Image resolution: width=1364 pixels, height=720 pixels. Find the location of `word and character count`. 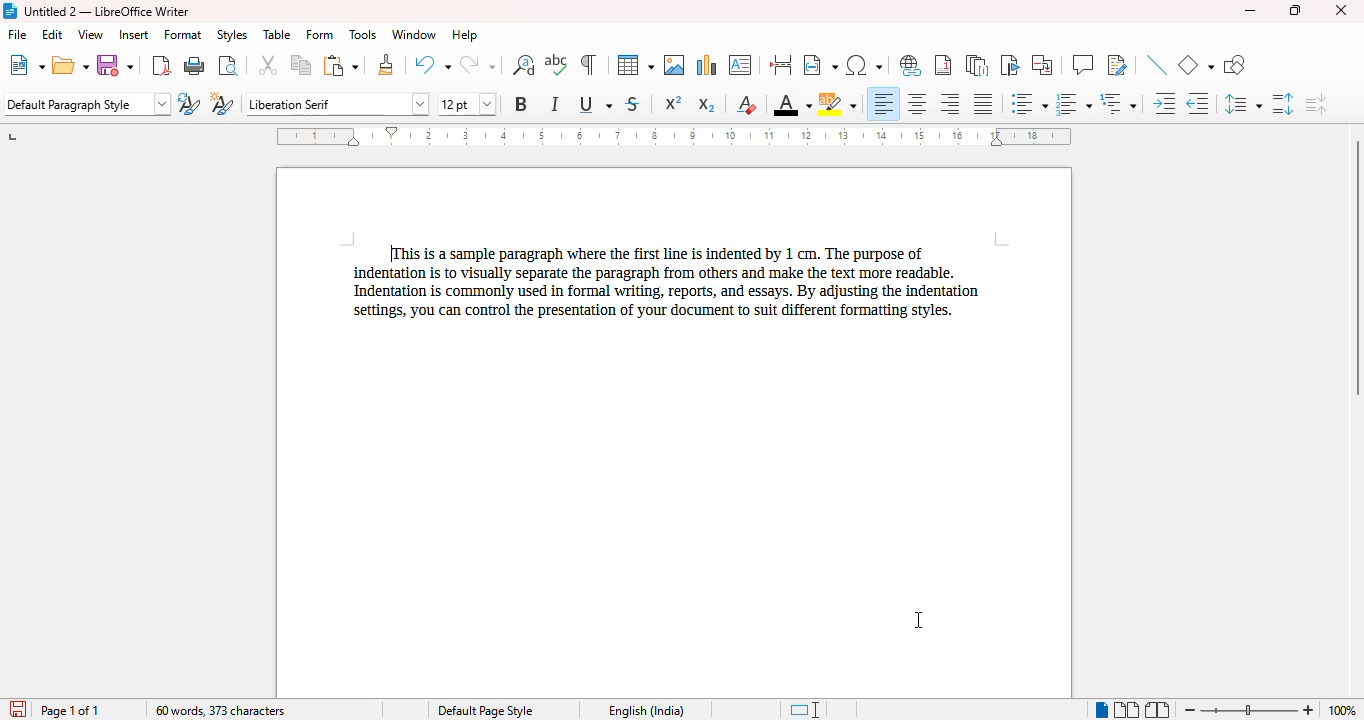

word and character count is located at coordinates (221, 710).